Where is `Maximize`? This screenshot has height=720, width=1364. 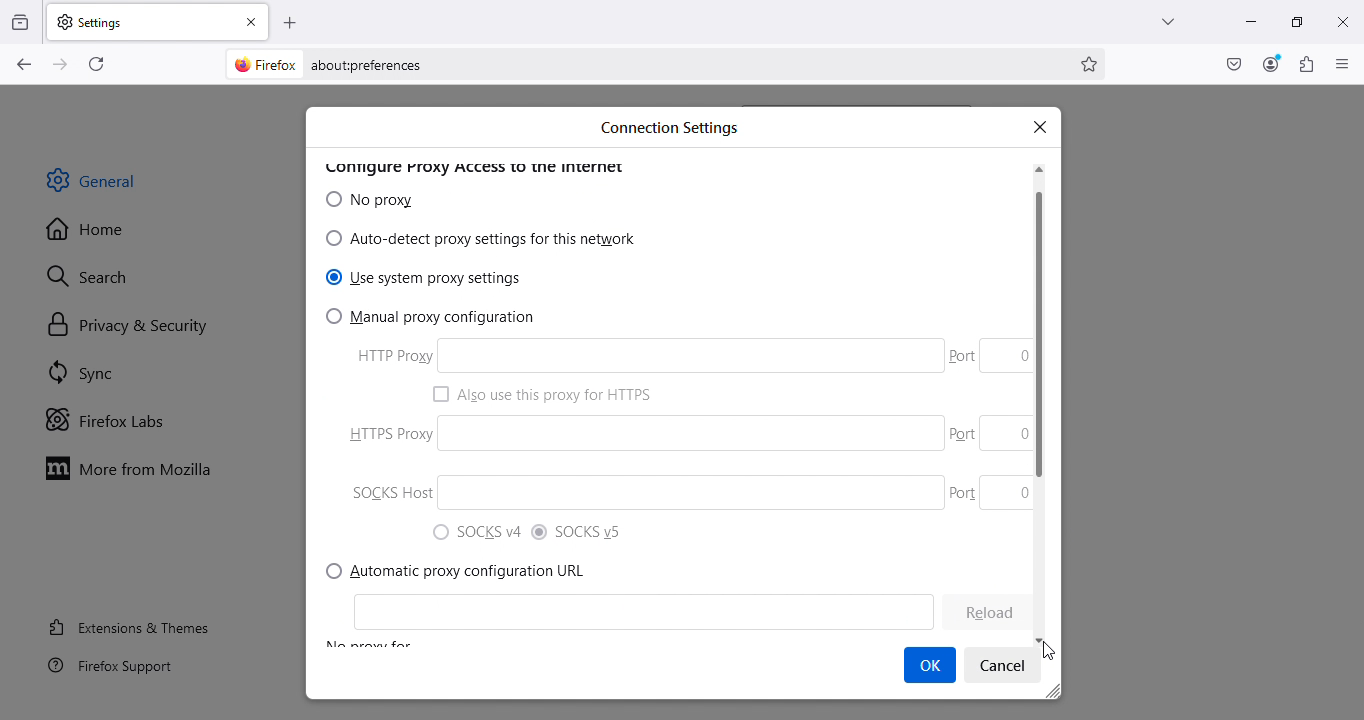
Maximize is located at coordinates (1294, 20).